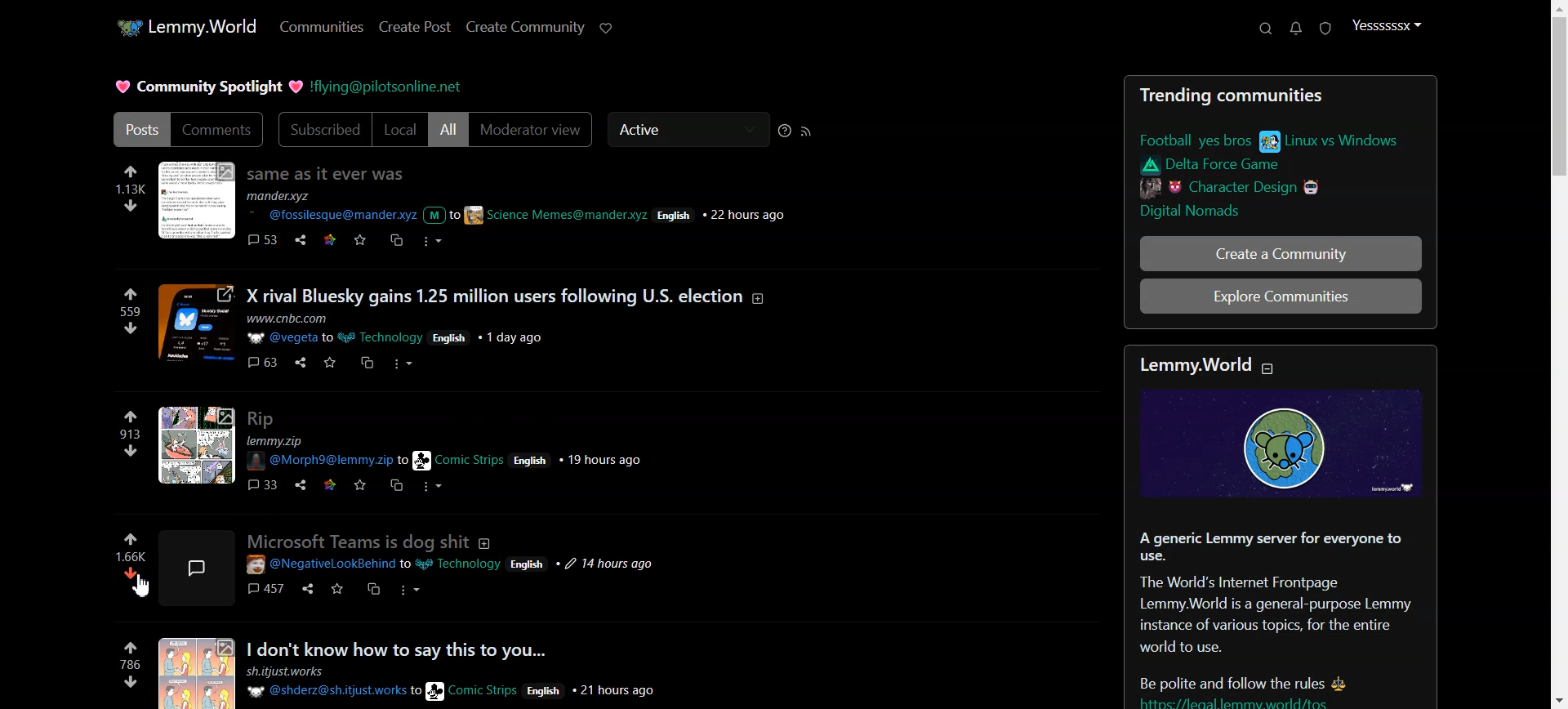  I want to click on Active, so click(688, 128).